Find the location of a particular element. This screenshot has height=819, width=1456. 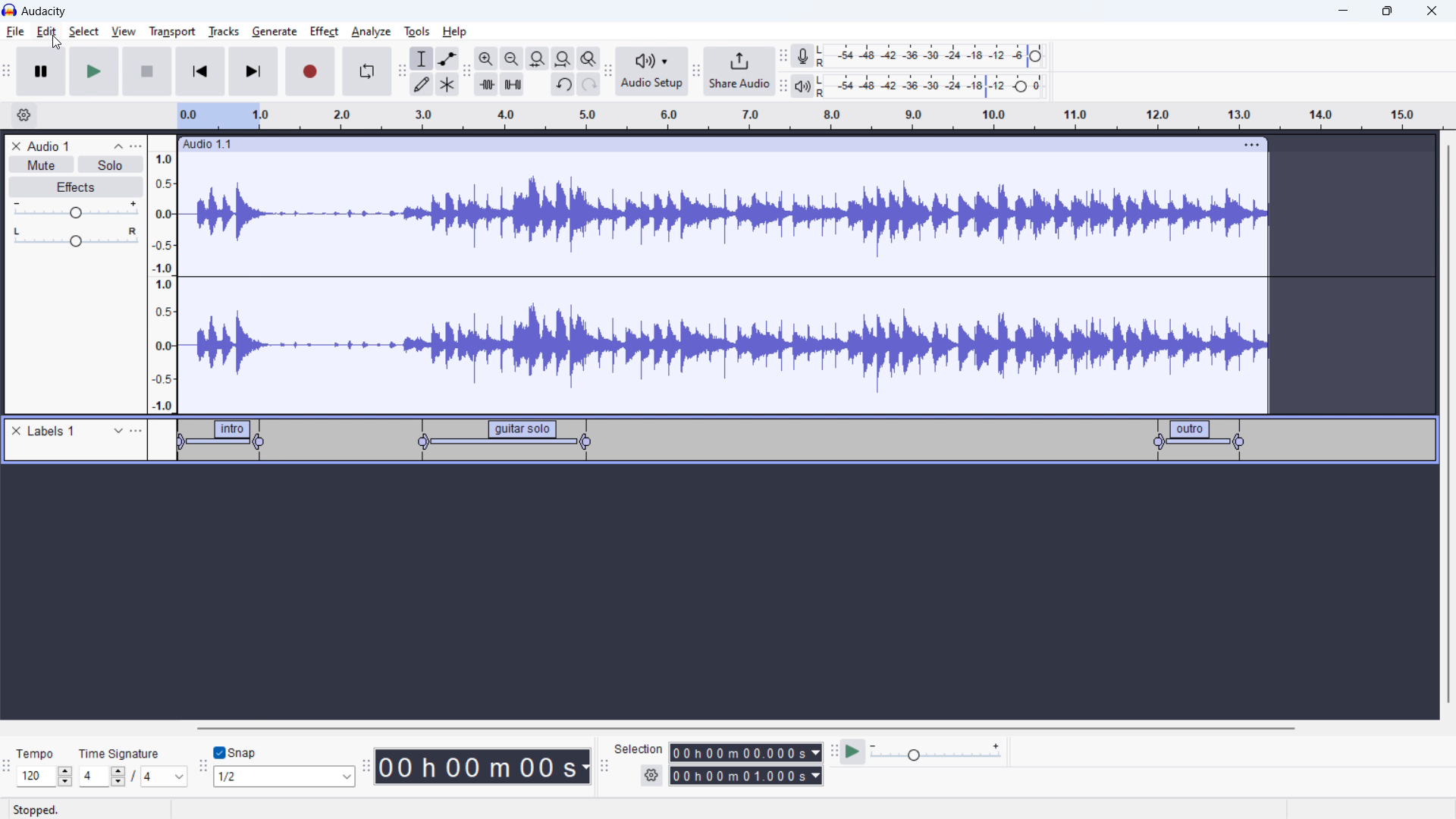

remove is located at coordinates (16, 431).